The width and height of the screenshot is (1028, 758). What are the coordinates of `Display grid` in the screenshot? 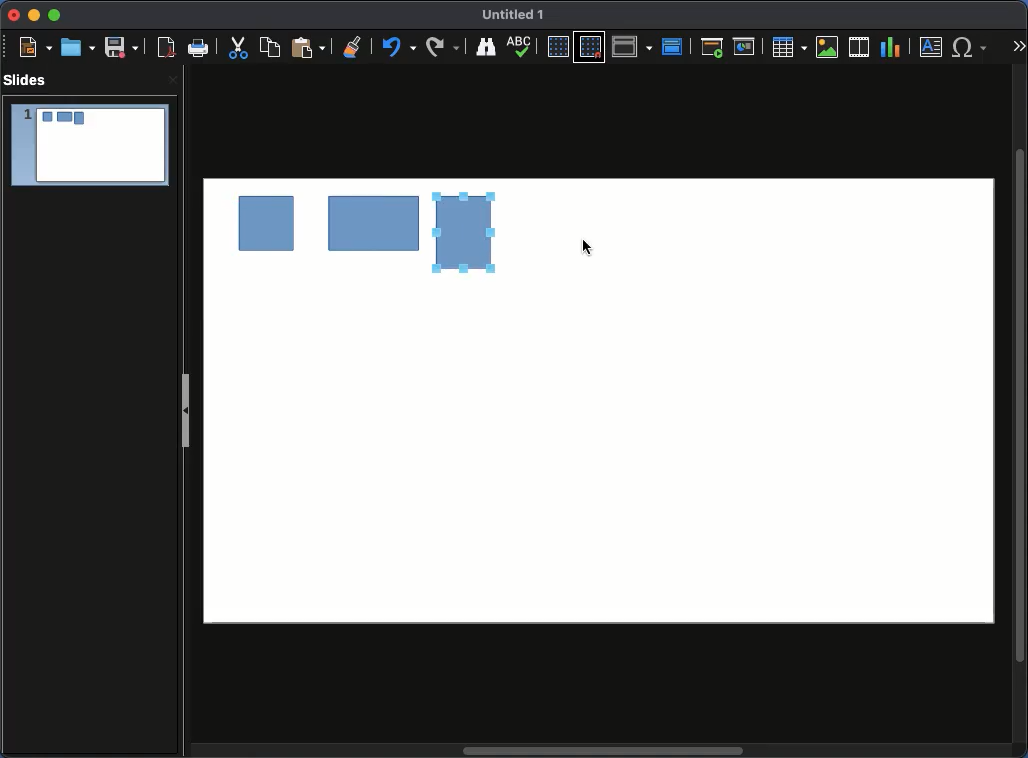 It's located at (557, 47).